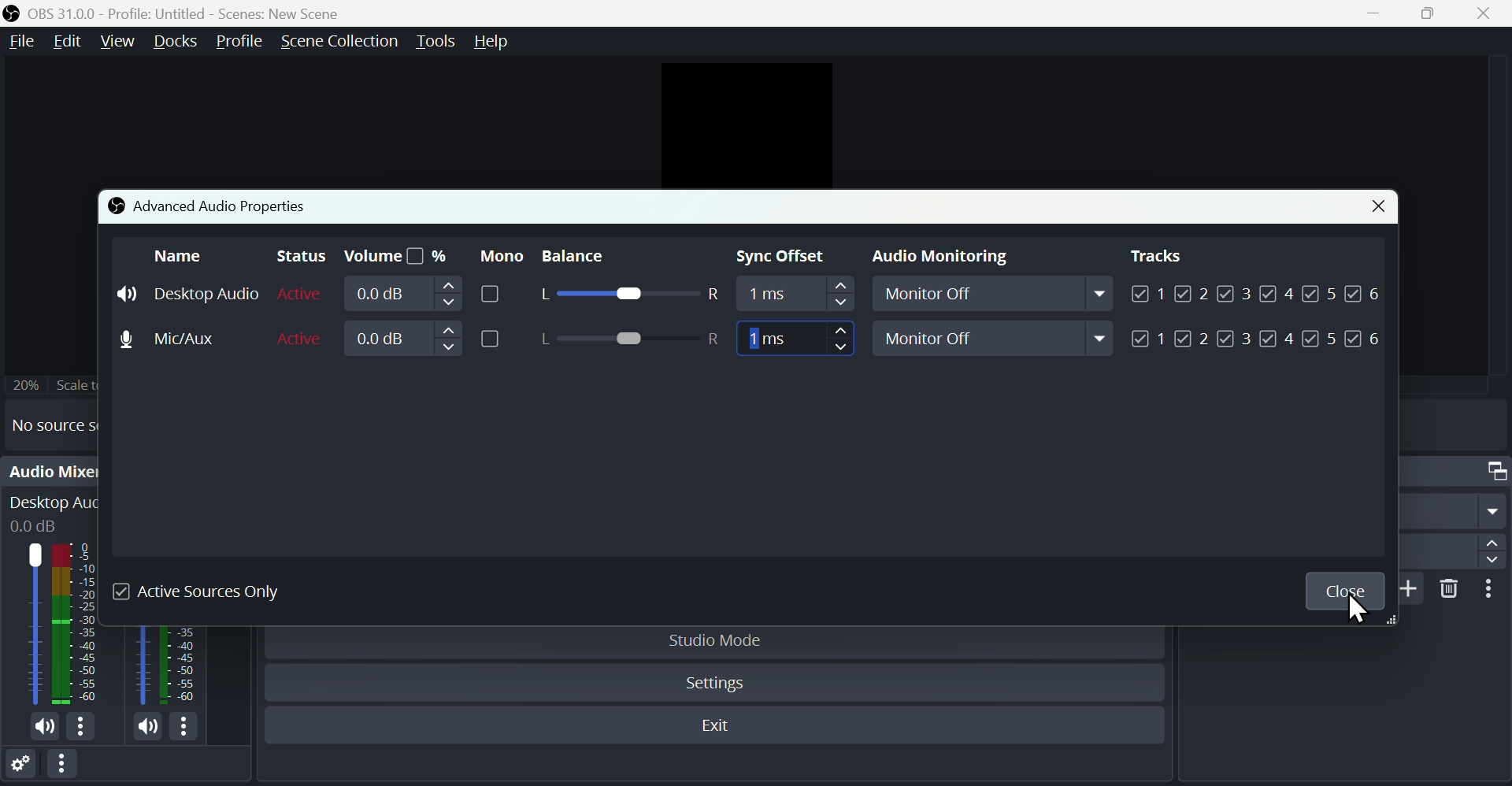  What do you see at coordinates (1380, 13) in the screenshot?
I see `minimise` at bounding box center [1380, 13].